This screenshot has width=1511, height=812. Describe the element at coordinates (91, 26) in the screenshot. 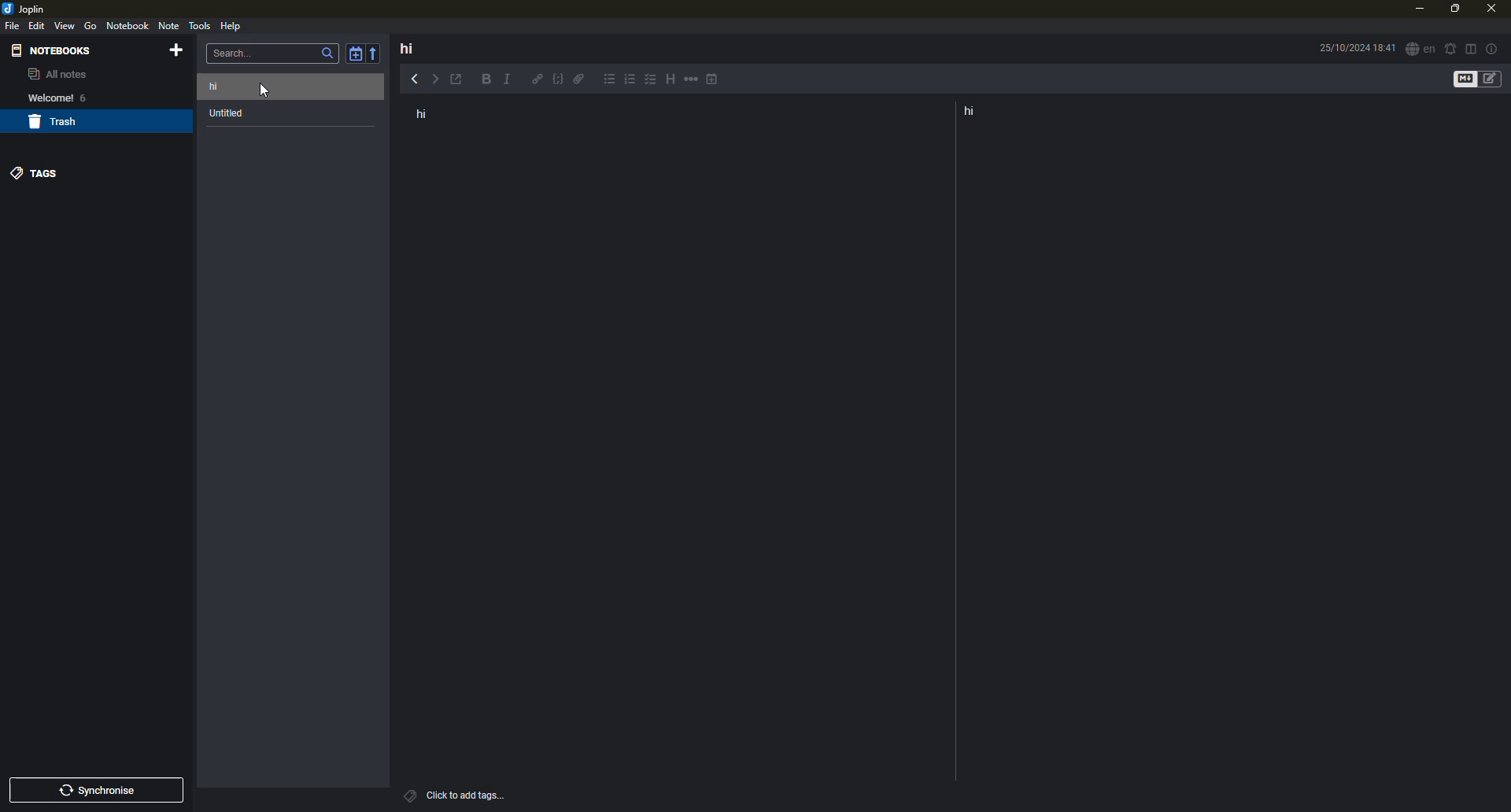

I see `go` at that location.